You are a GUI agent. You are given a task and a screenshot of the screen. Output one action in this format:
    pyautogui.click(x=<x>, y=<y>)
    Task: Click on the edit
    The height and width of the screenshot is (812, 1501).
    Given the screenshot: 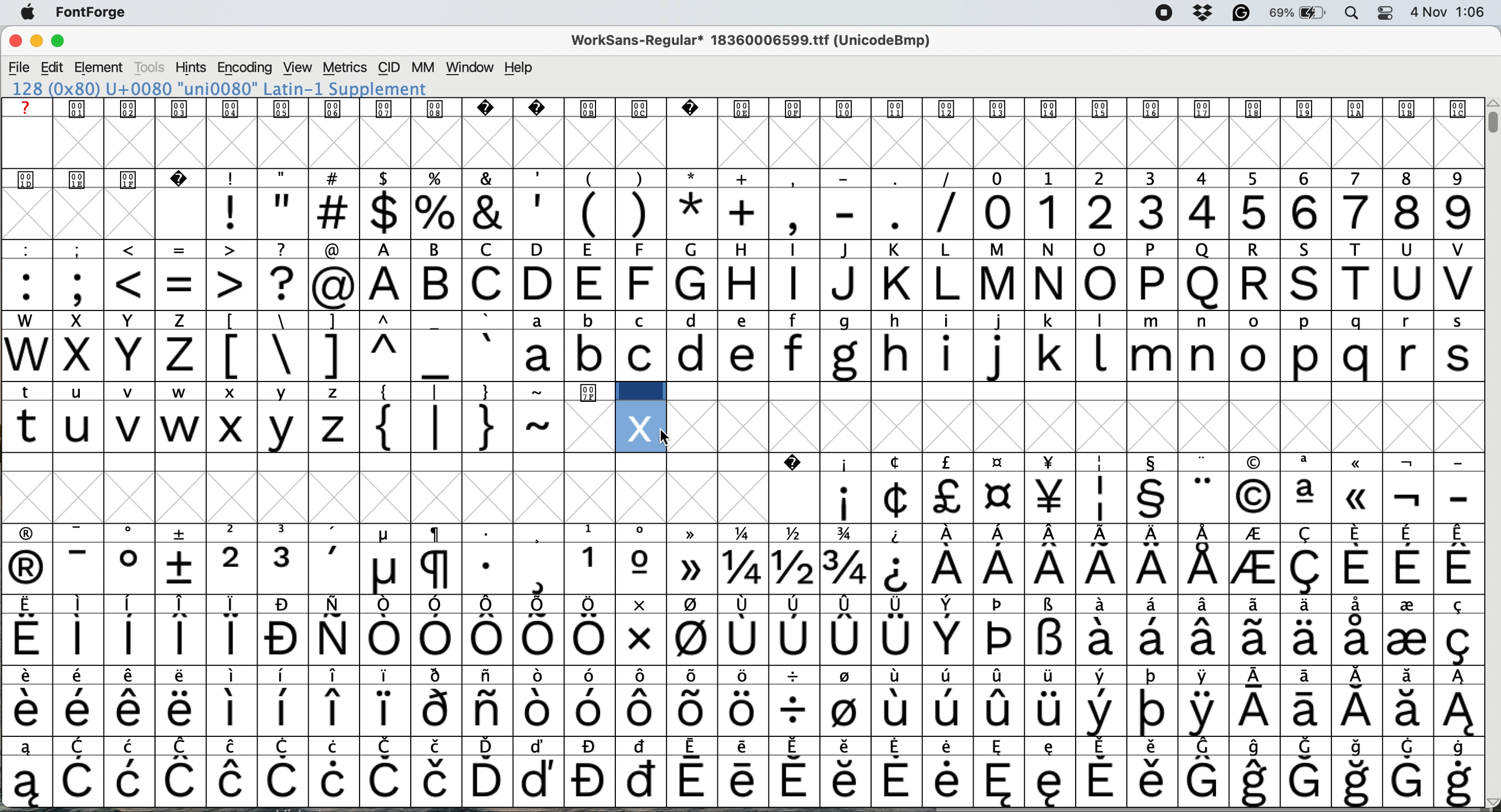 What is the action you would take?
    pyautogui.click(x=54, y=67)
    